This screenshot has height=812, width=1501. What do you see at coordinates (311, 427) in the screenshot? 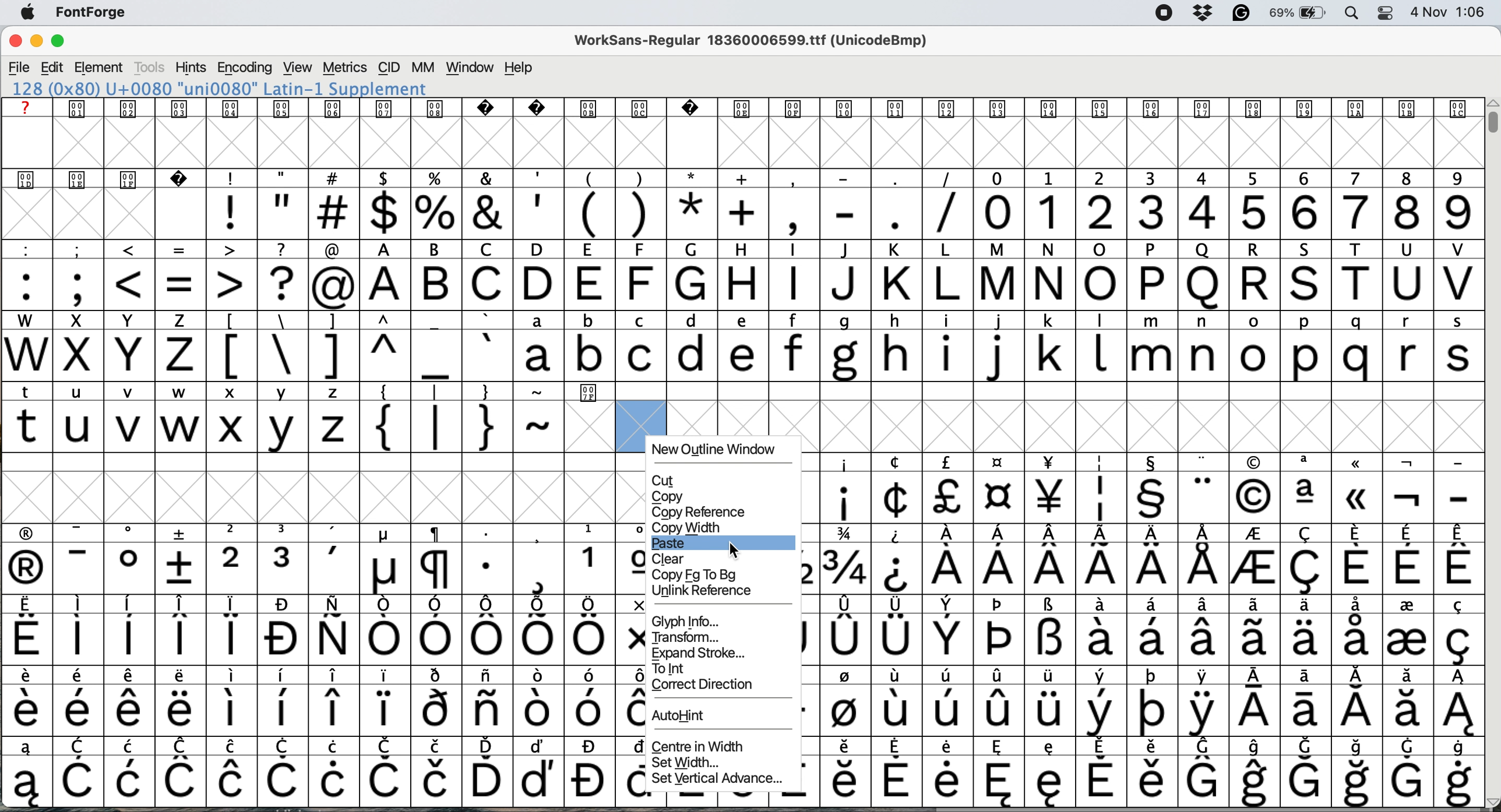
I see `v z: lower case letters` at bounding box center [311, 427].